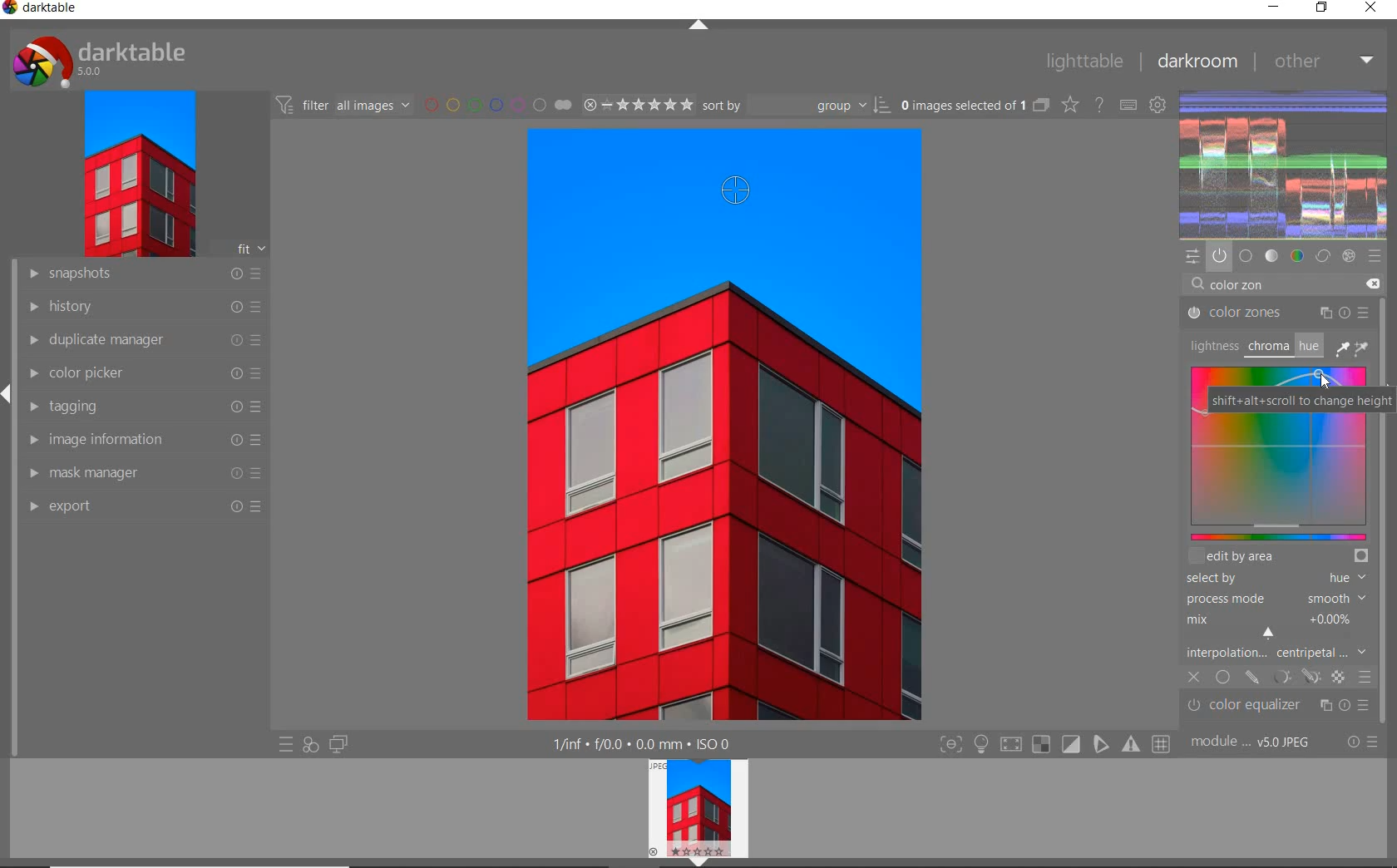 The image size is (1397, 868). I want to click on selected images, so click(974, 106).